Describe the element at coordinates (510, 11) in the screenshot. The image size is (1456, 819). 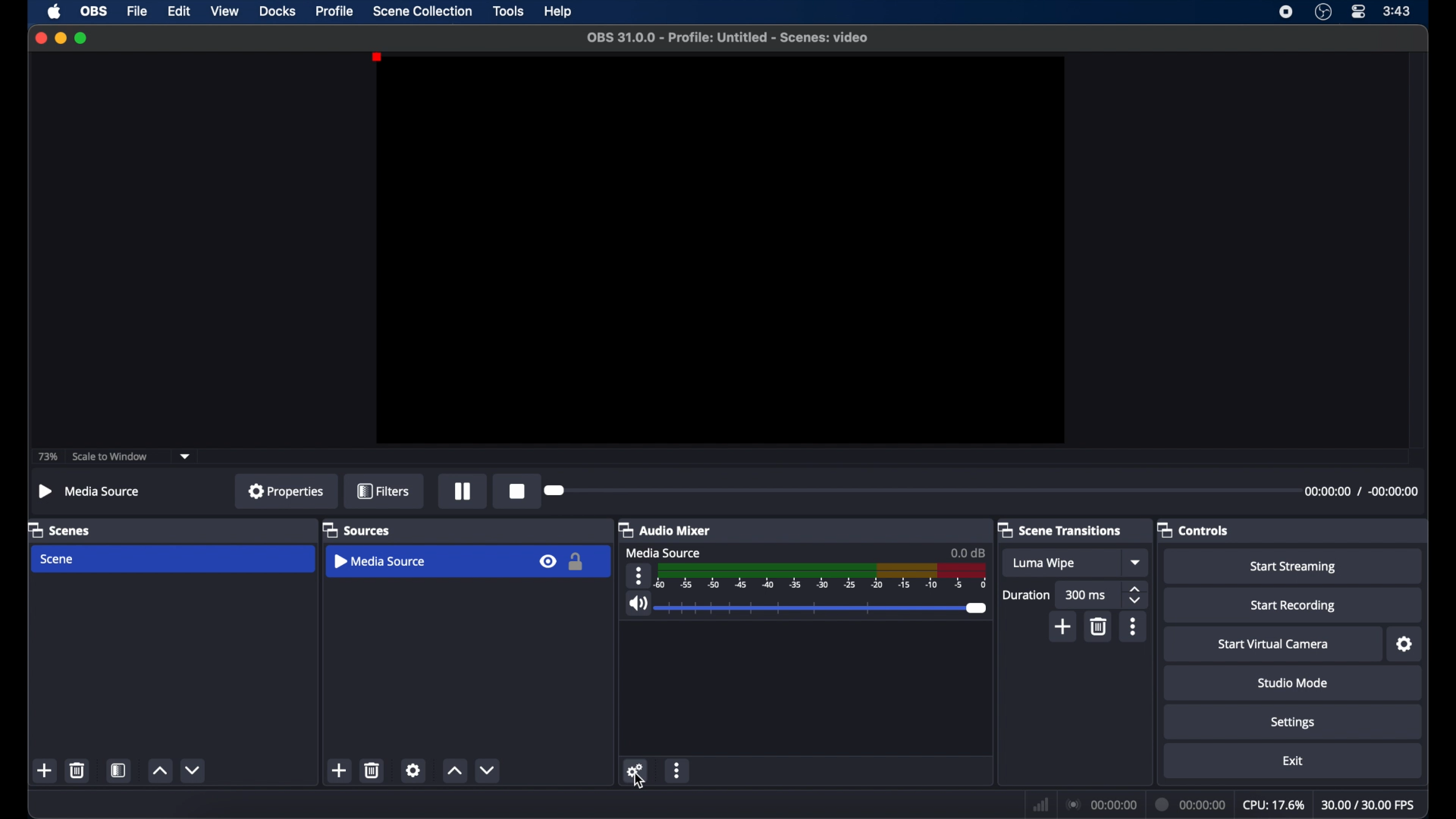
I see `tools` at that location.